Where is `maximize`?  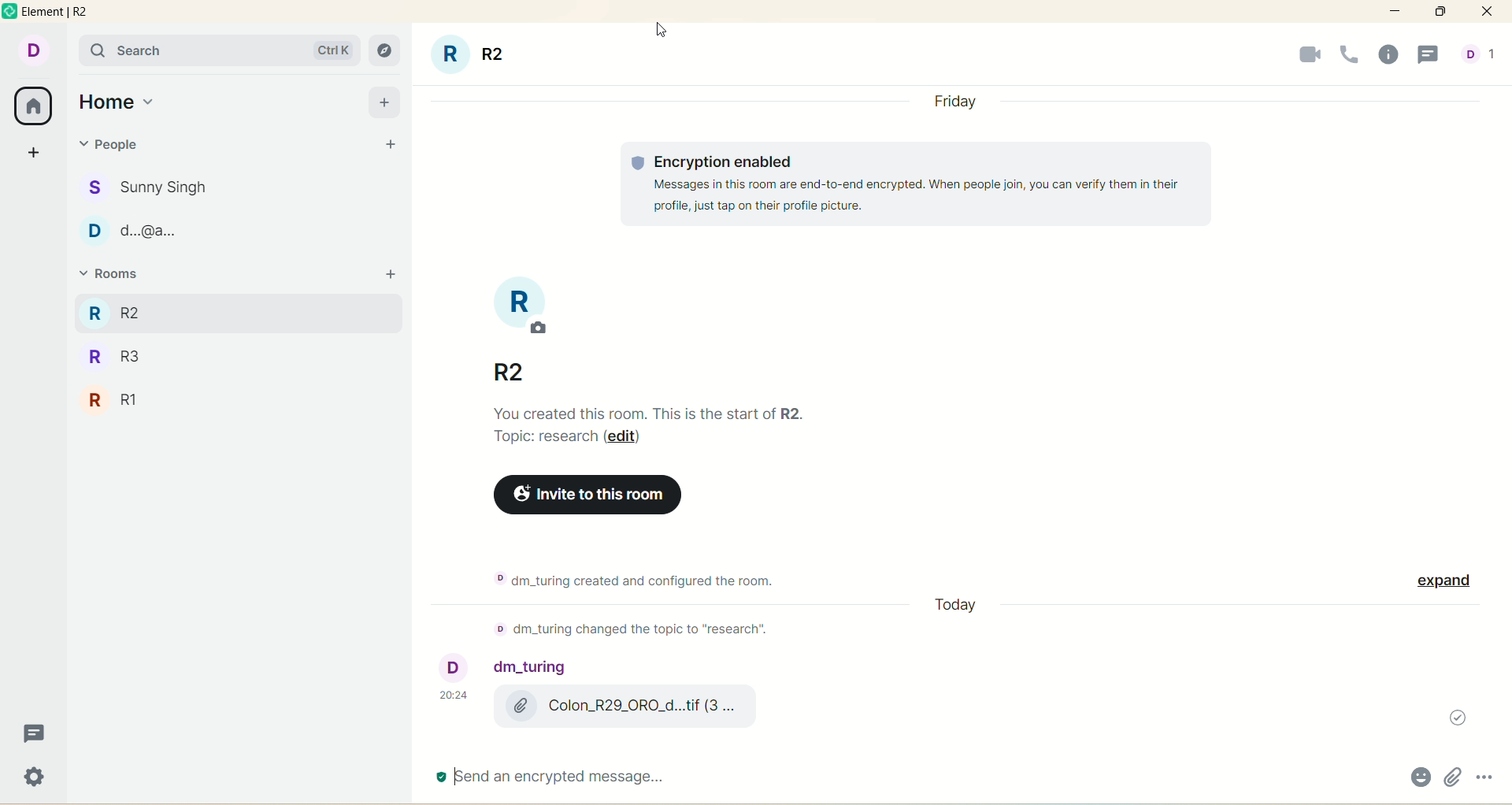 maximize is located at coordinates (1440, 11).